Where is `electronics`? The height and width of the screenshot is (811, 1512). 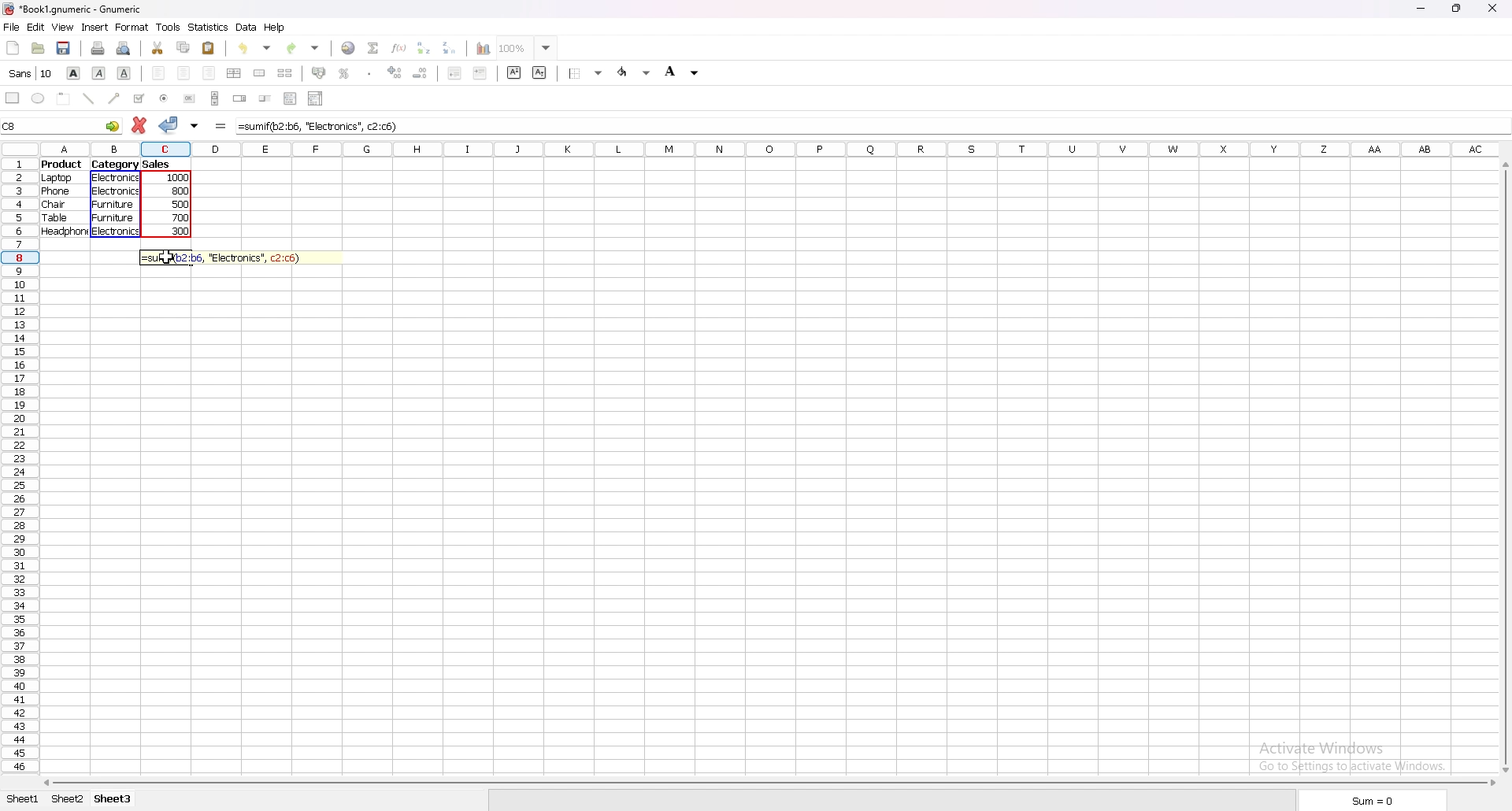
electronics is located at coordinates (117, 233).